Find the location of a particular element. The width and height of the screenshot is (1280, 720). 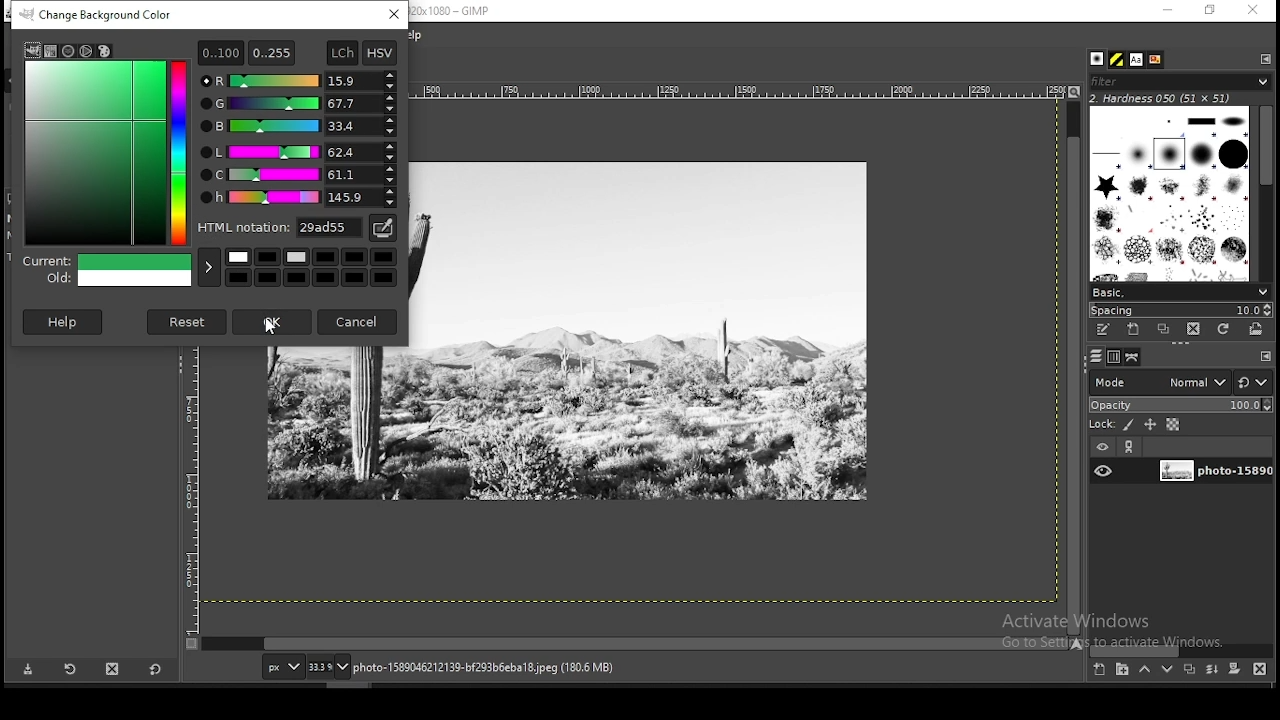

merge layer is located at coordinates (1214, 669).